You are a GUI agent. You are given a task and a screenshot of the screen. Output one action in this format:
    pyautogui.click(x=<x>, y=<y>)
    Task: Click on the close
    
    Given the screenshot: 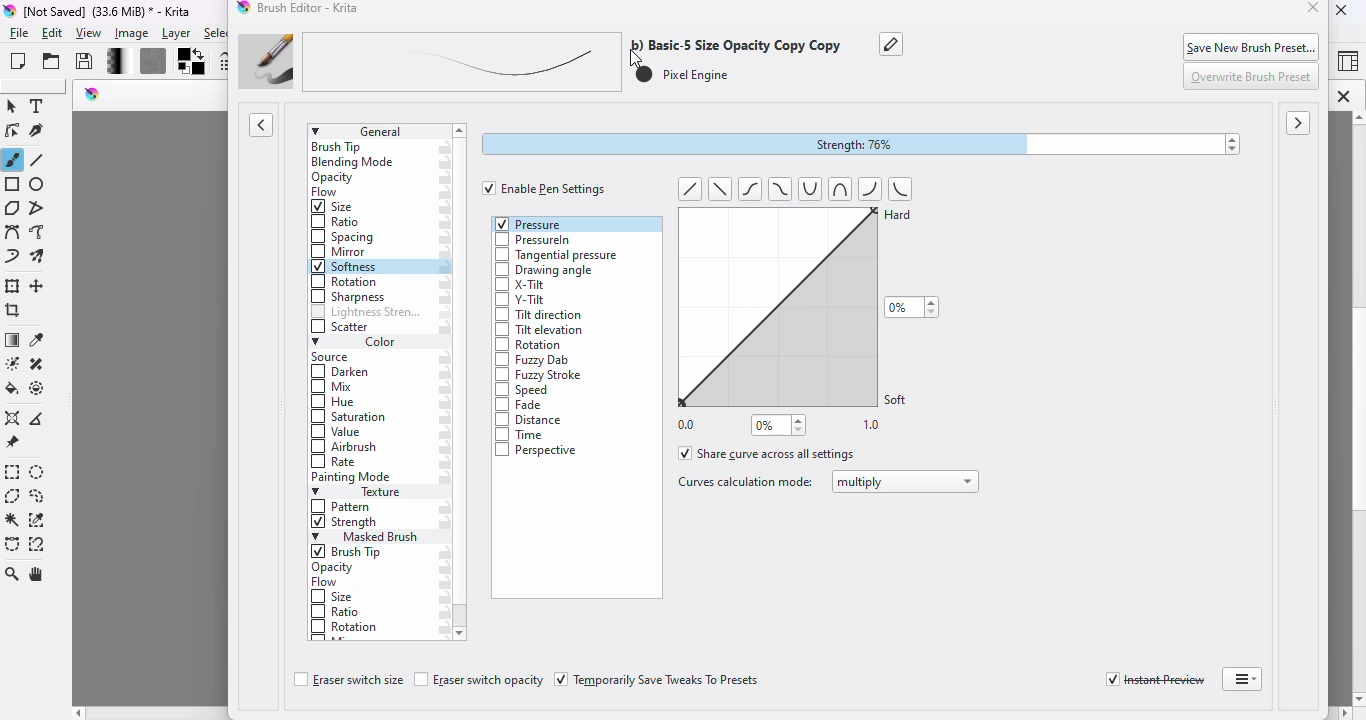 What is the action you would take?
    pyautogui.click(x=1314, y=9)
    